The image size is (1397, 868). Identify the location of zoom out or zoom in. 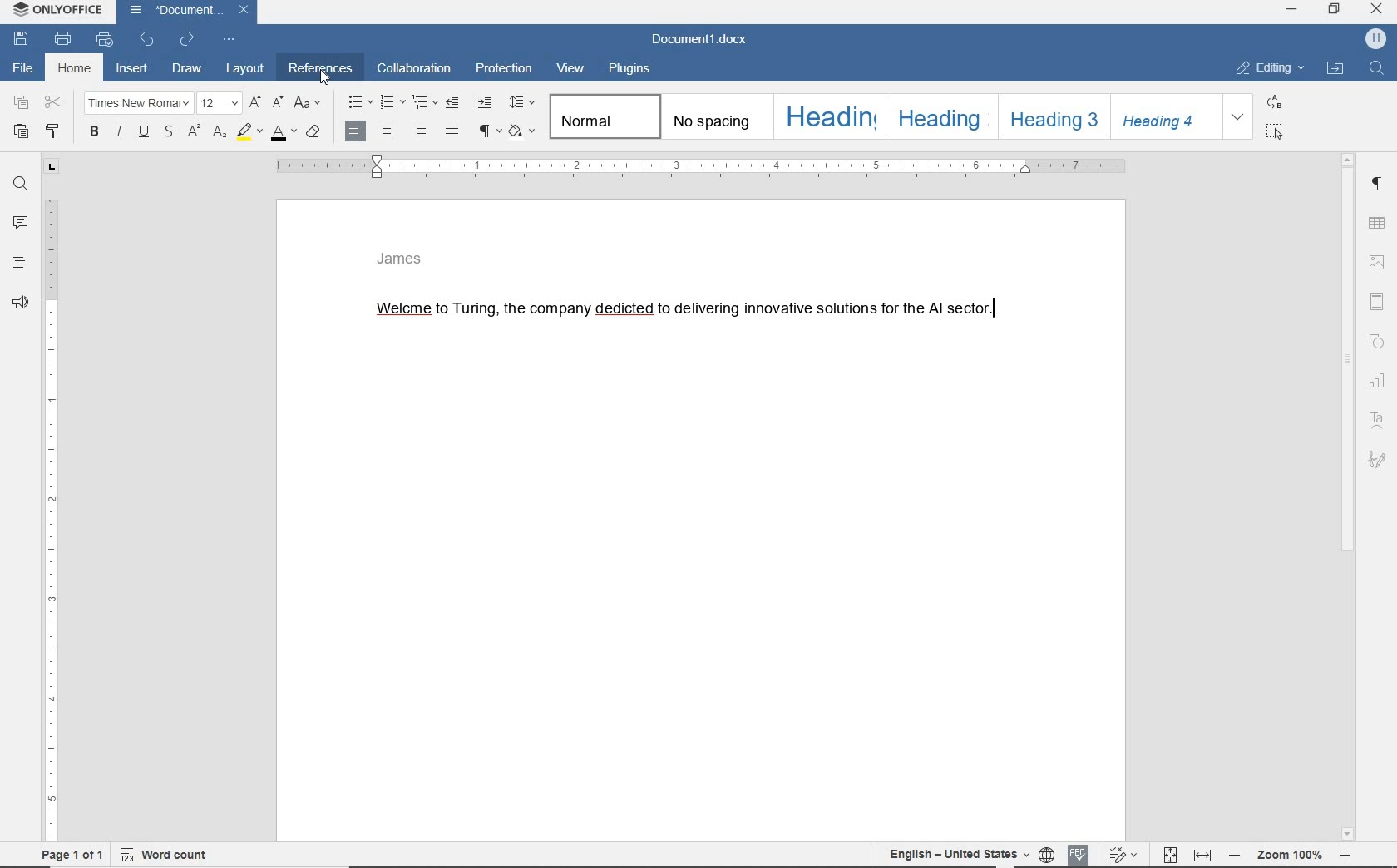
(1291, 855).